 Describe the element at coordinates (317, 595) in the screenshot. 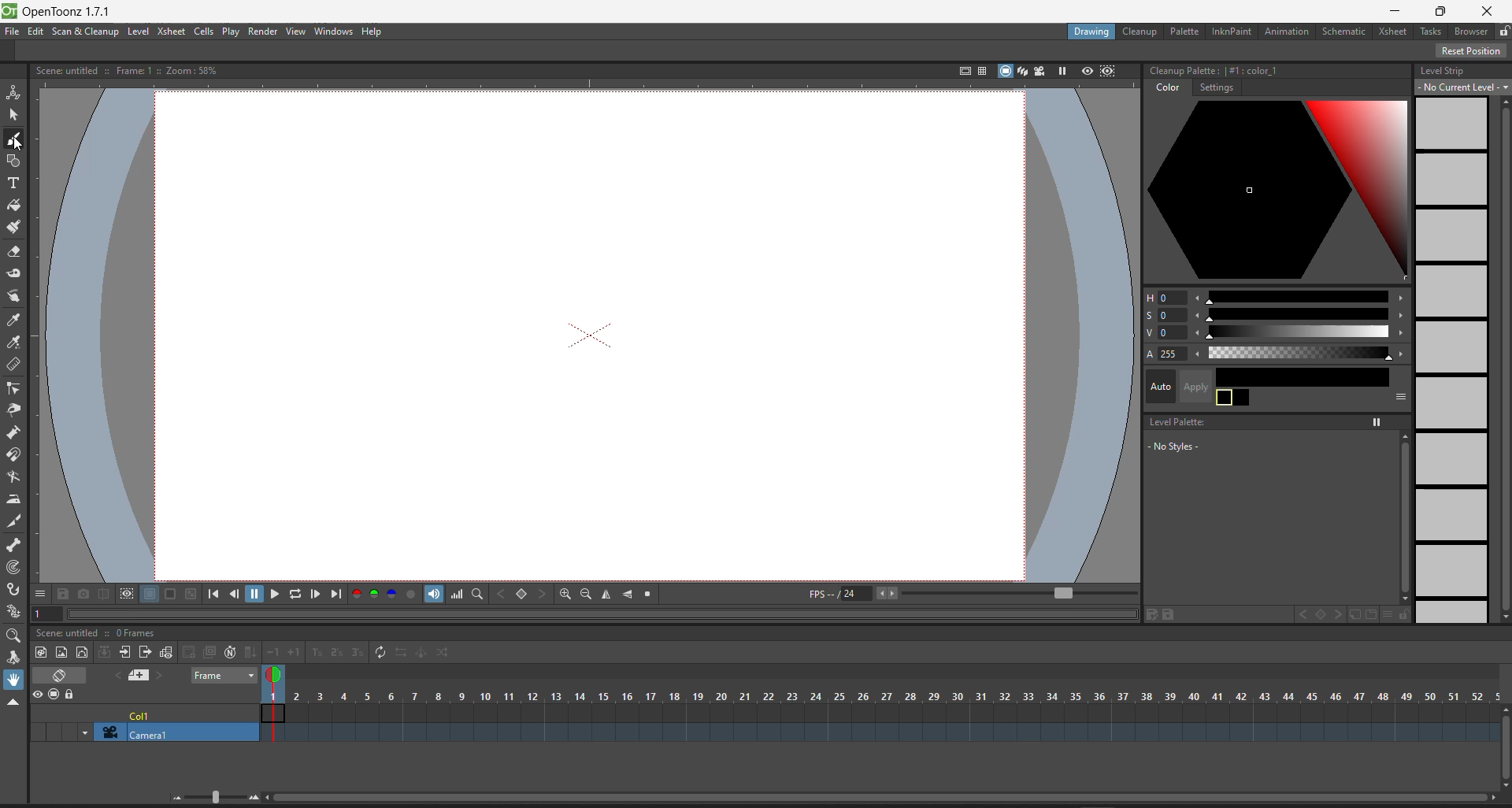

I see `next frame` at that location.